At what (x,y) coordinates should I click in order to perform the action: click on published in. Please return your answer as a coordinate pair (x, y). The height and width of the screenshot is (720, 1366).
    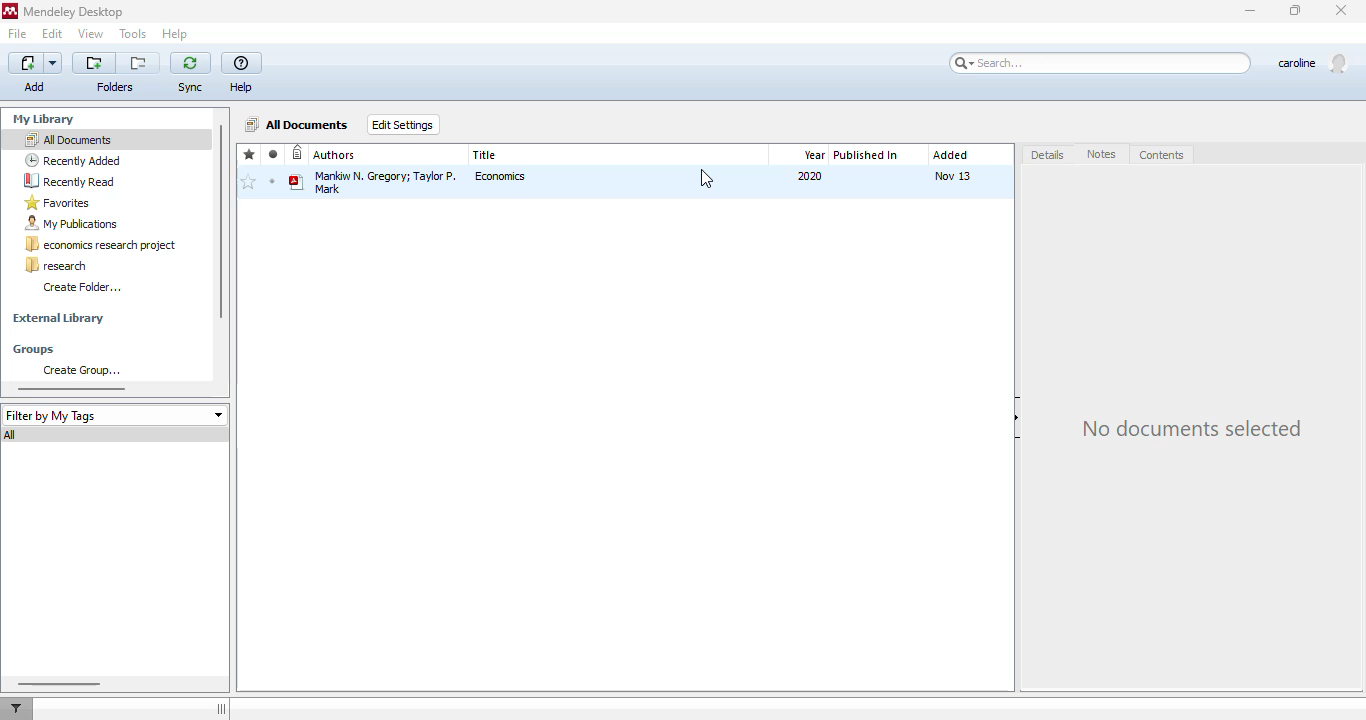
    Looking at the image, I should click on (866, 155).